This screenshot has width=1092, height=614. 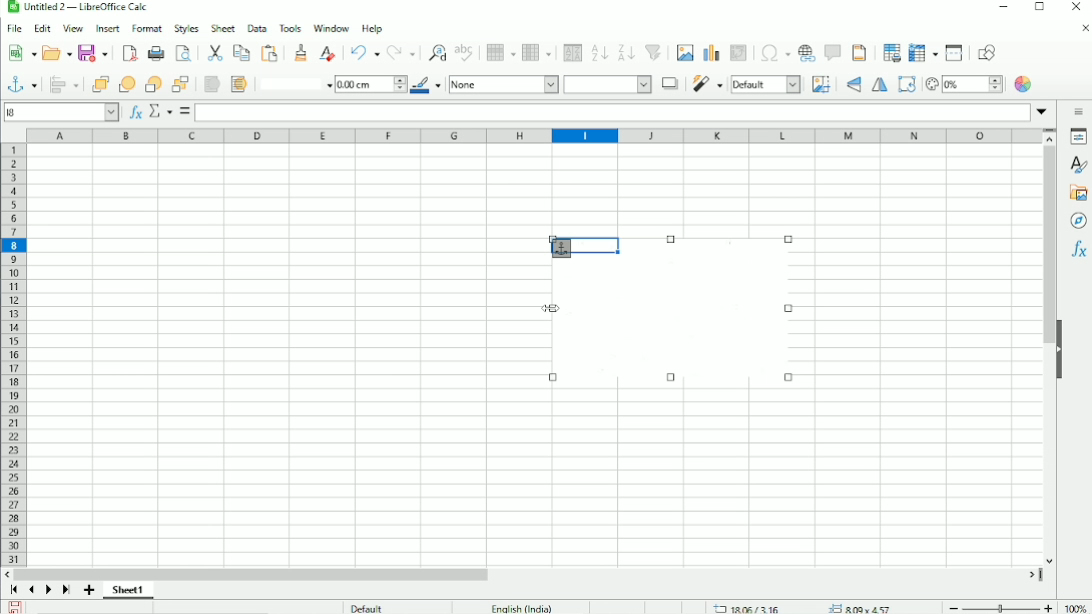 I want to click on Styles, so click(x=187, y=28).